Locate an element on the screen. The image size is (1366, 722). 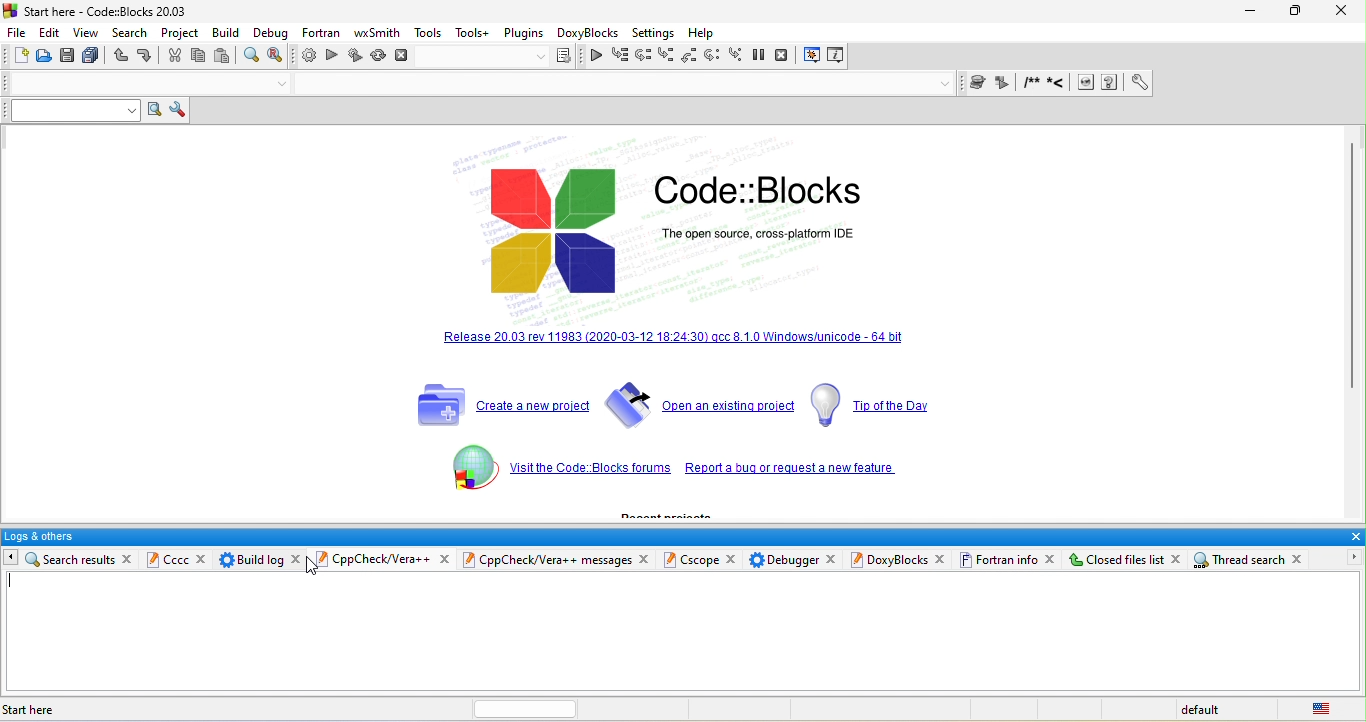
block comment is located at coordinates (1033, 83).